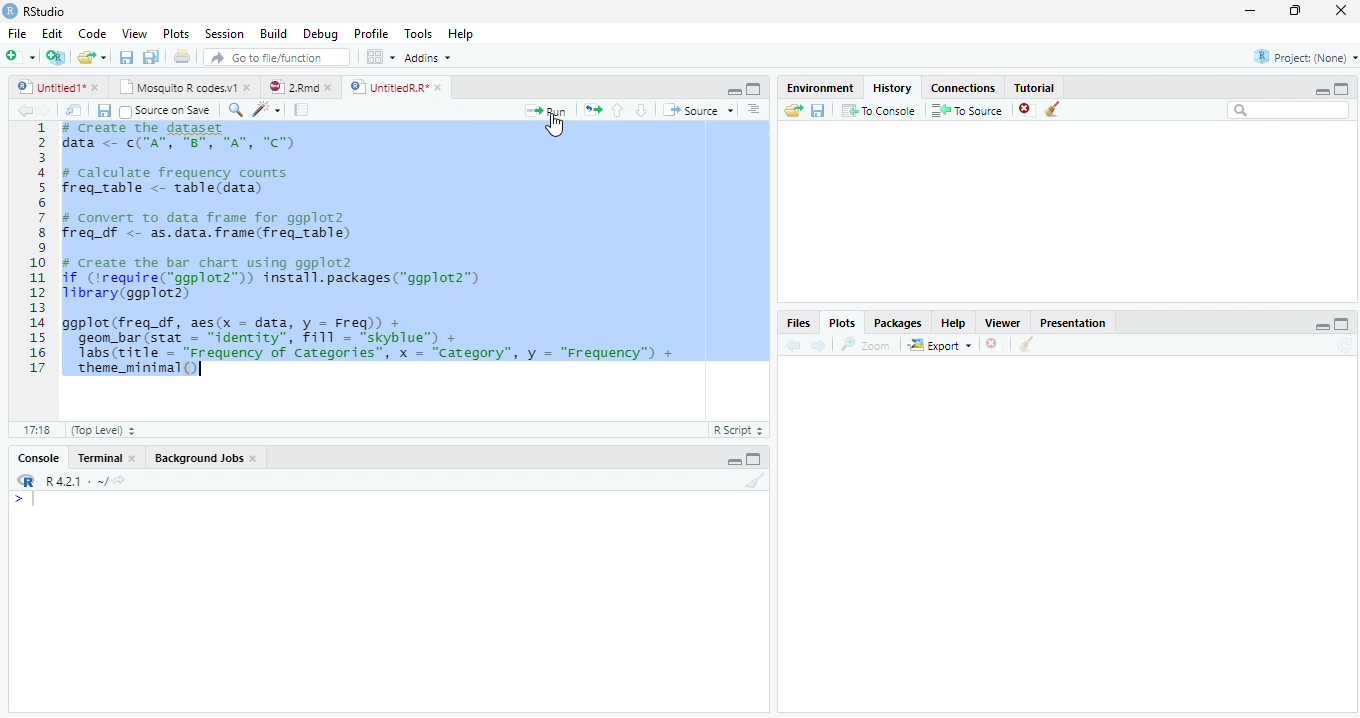 This screenshot has height=718, width=1360. Describe the element at coordinates (842, 322) in the screenshot. I see `Plots` at that location.